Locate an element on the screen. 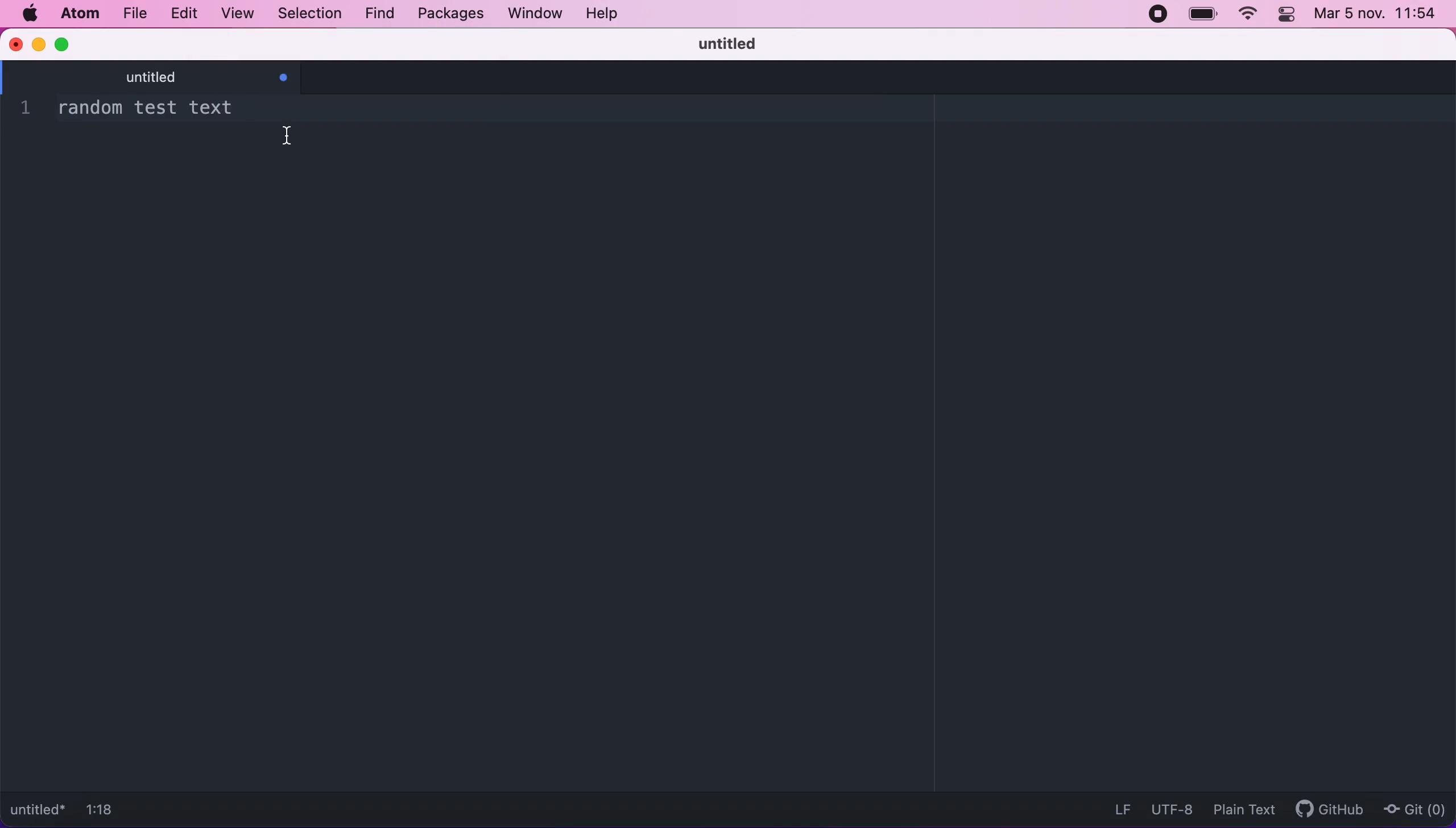  help is located at coordinates (614, 15).